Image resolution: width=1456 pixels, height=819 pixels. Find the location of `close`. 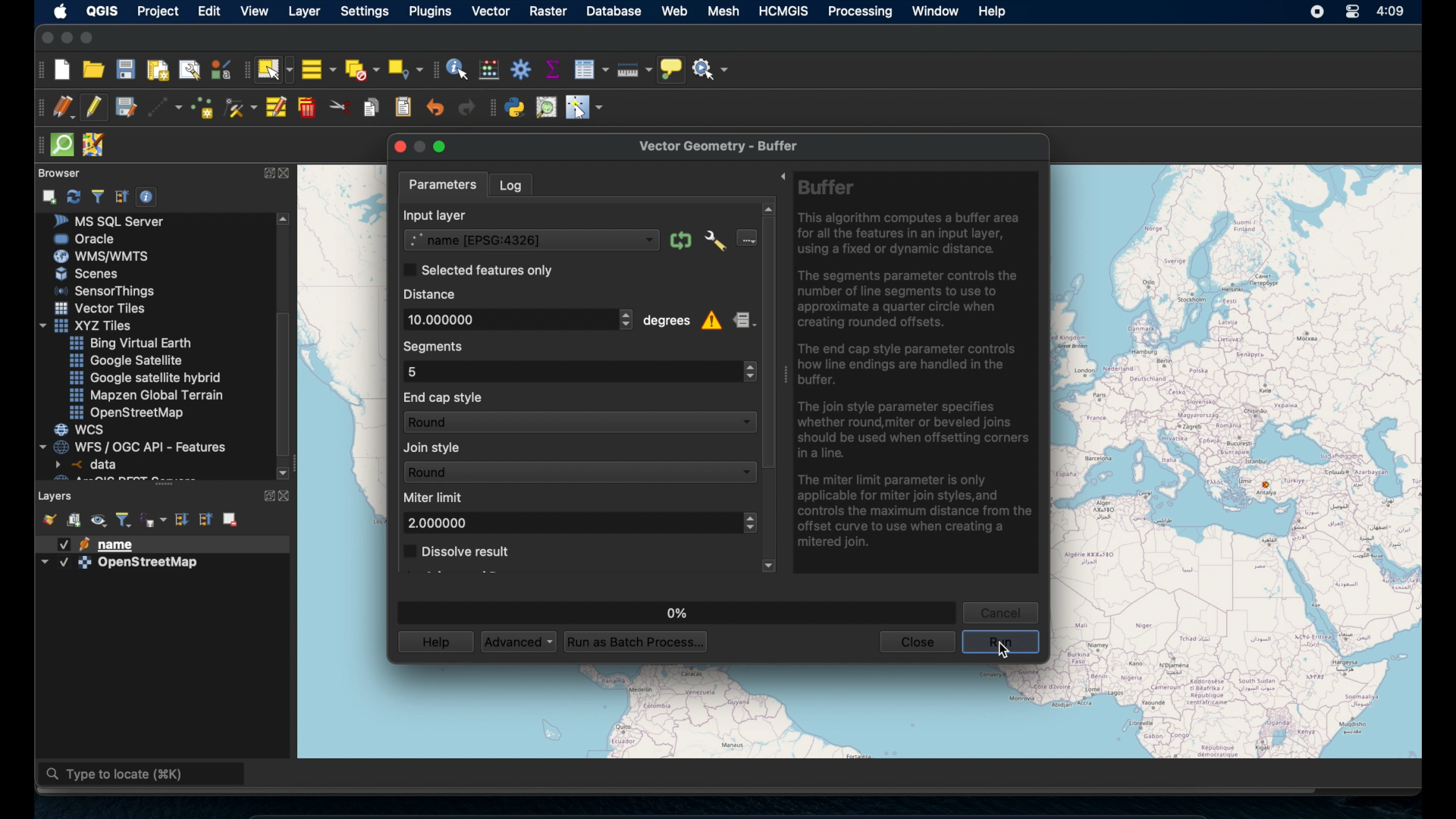

close is located at coordinates (287, 174).